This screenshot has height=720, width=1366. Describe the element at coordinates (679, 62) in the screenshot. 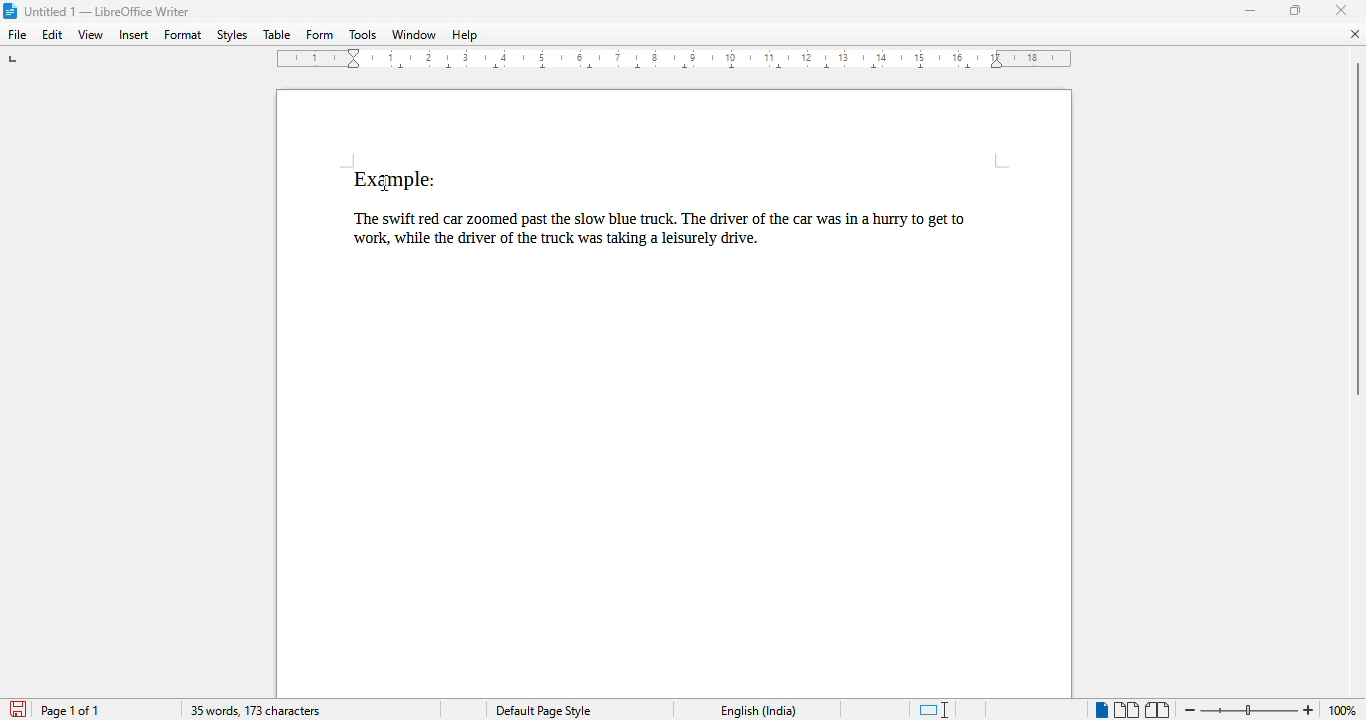

I see `ruler` at that location.